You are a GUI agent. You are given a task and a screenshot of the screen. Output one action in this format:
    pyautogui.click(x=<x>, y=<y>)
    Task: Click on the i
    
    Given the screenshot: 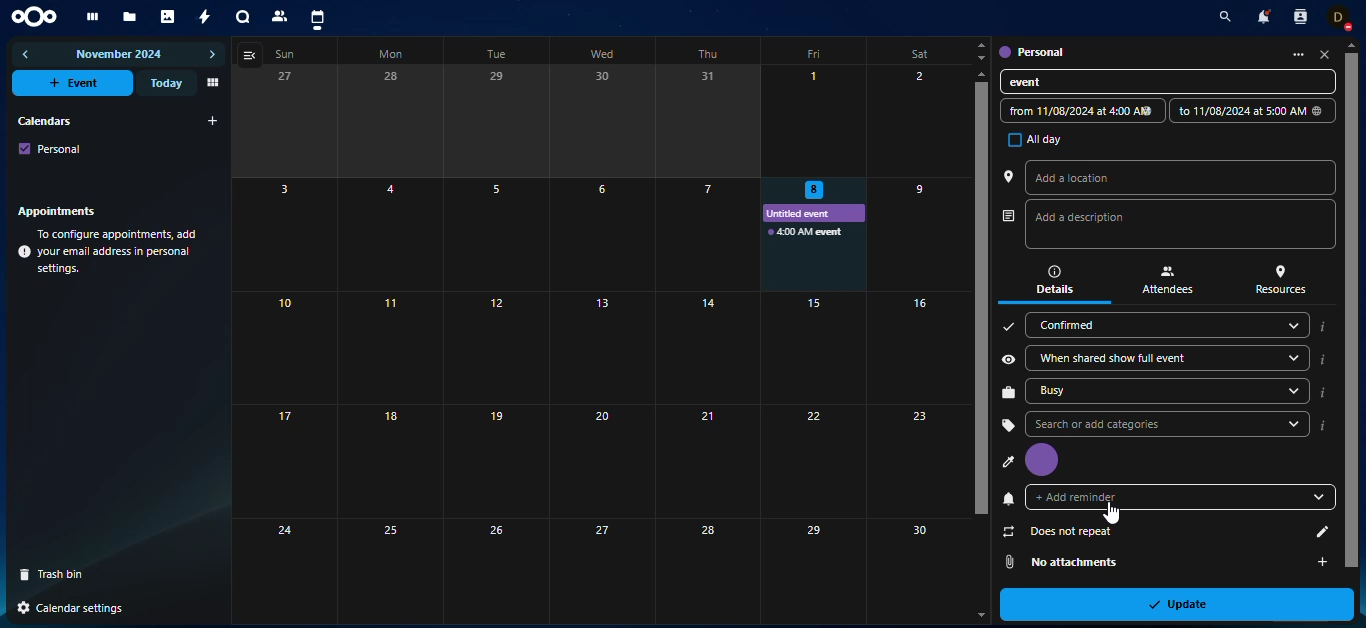 What is the action you would take?
    pyautogui.click(x=1324, y=425)
    